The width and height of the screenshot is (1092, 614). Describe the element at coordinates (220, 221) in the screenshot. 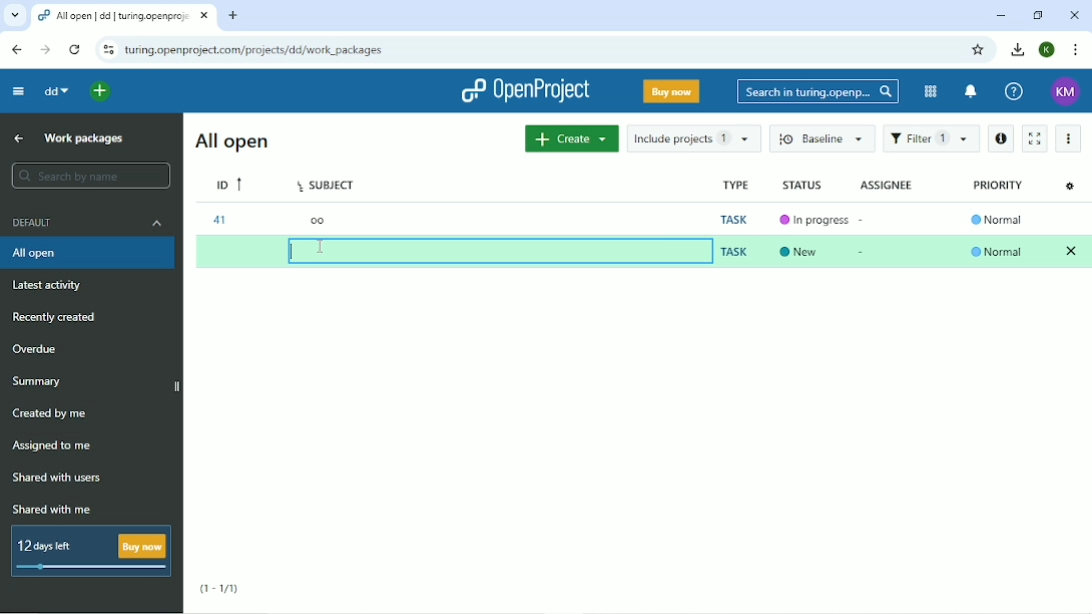

I see `41` at that location.